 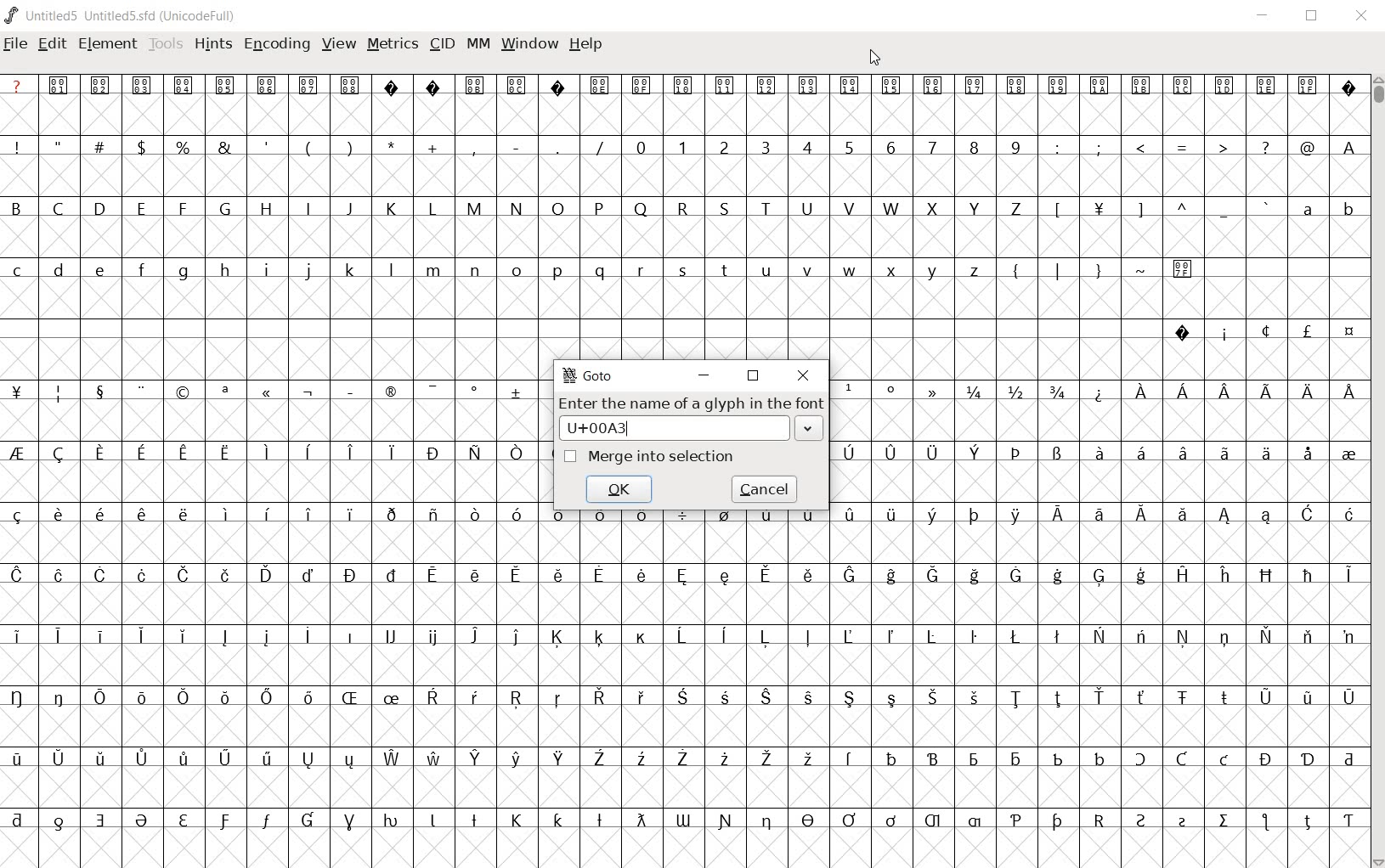 I want to click on Symbol, so click(x=848, y=450).